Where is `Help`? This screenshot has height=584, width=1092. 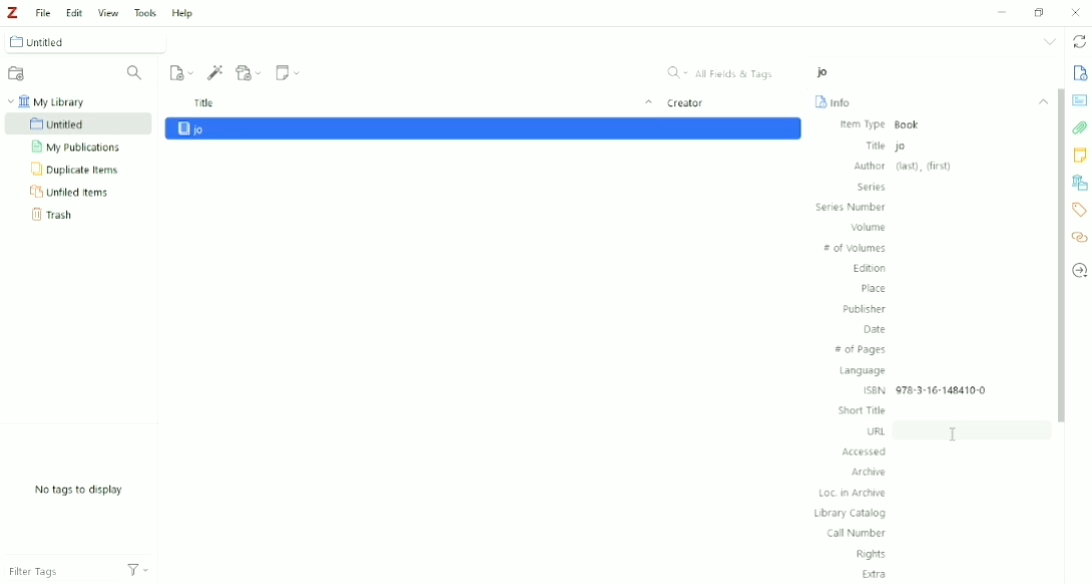 Help is located at coordinates (184, 14).